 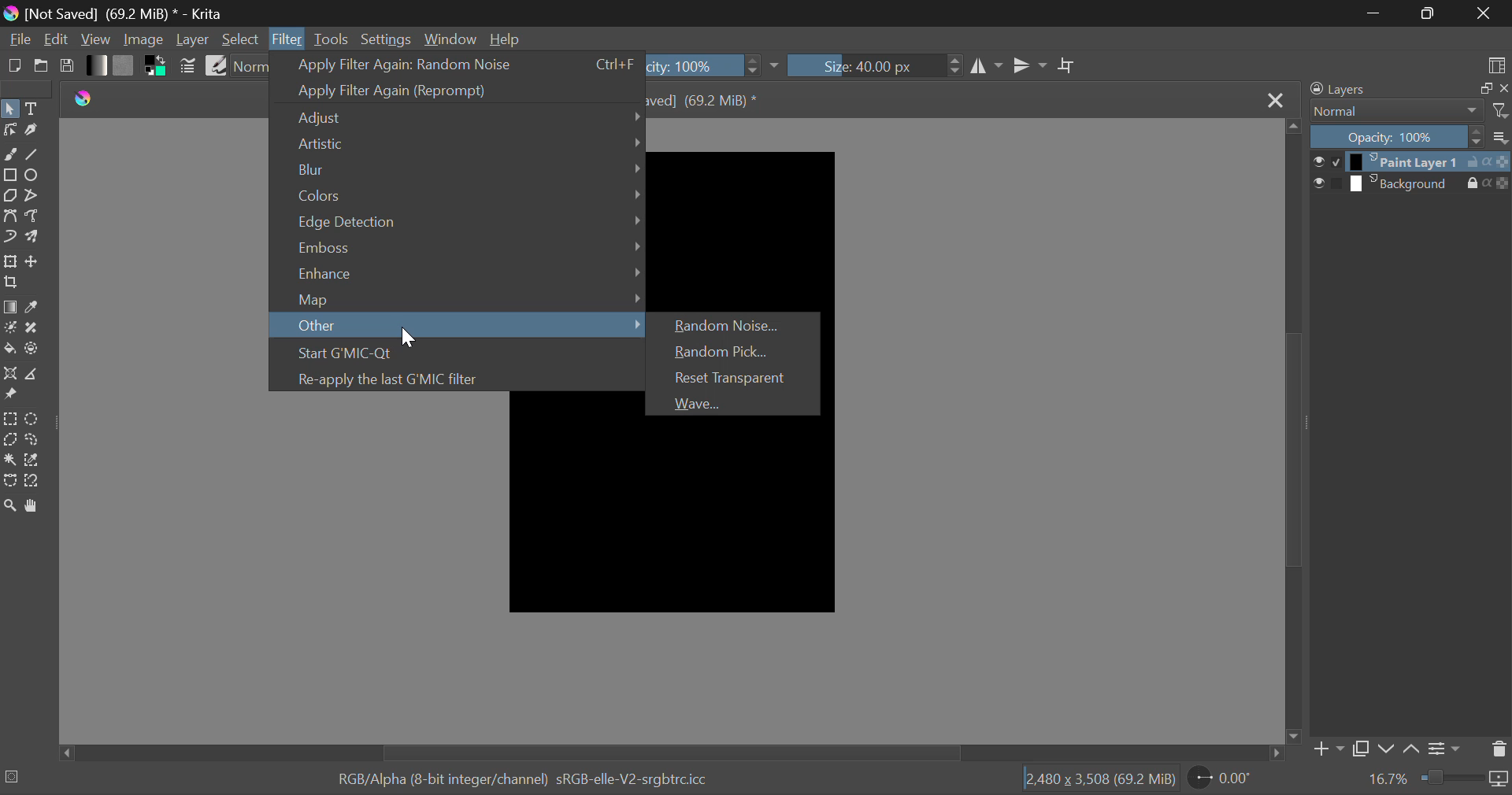 What do you see at coordinates (1374, 89) in the screenshot?
I see `Layers Docker Tab` at bounding box center [1374, 89].